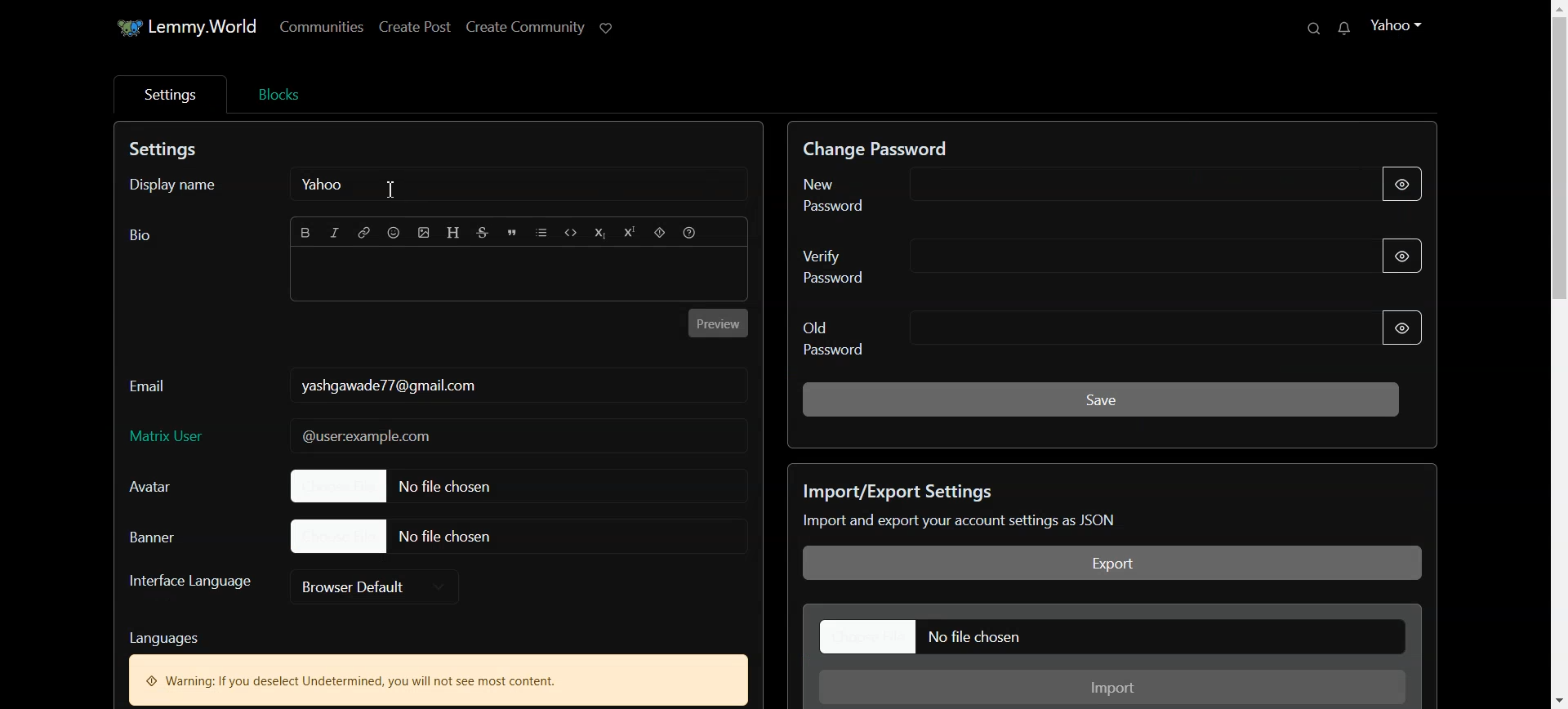  Describe the element at coordinates (425, 233) in the screenshot. I see `Upload picture` at that location.